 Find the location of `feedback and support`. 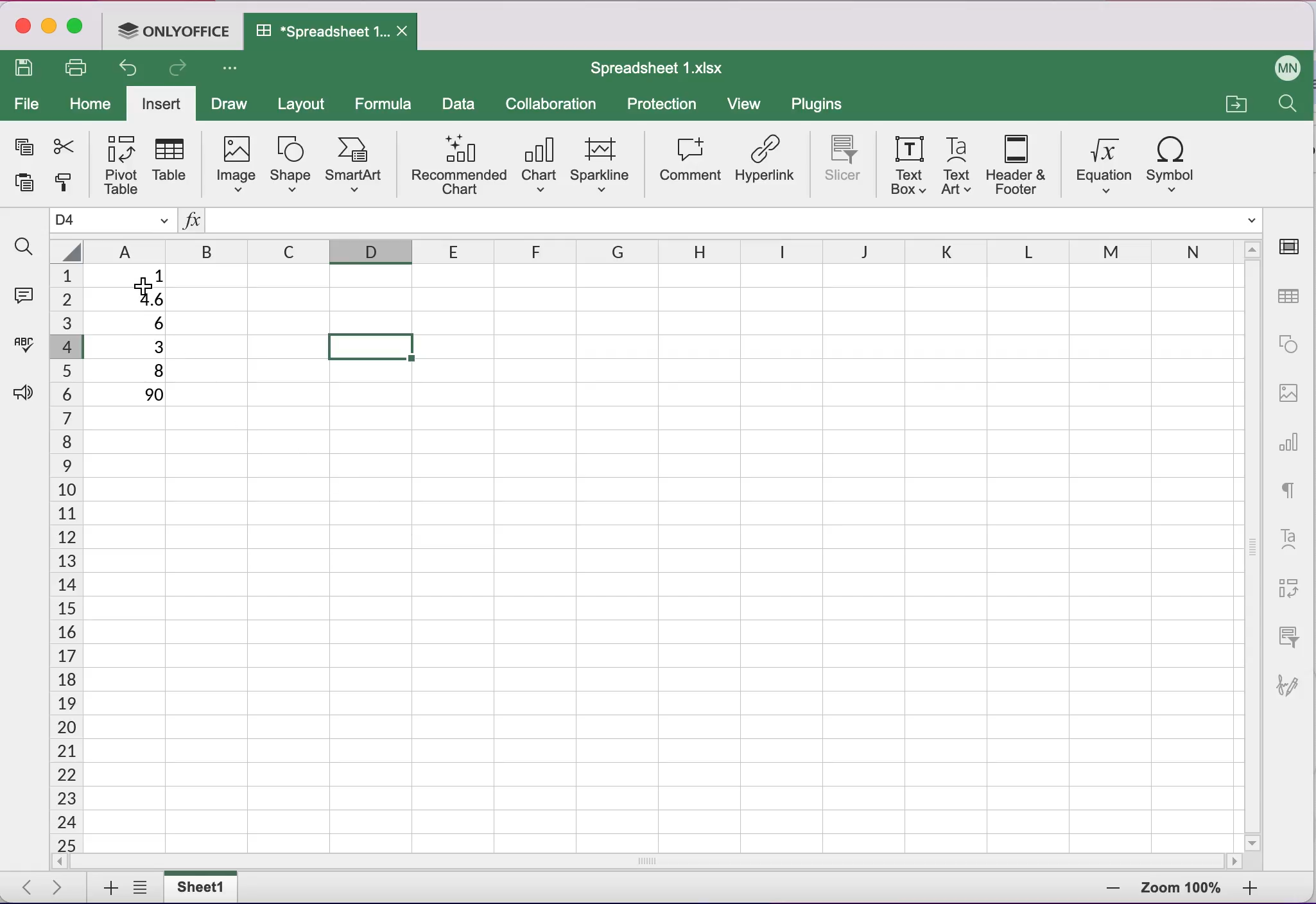

feedback and support is located at coordinates (22, 391).